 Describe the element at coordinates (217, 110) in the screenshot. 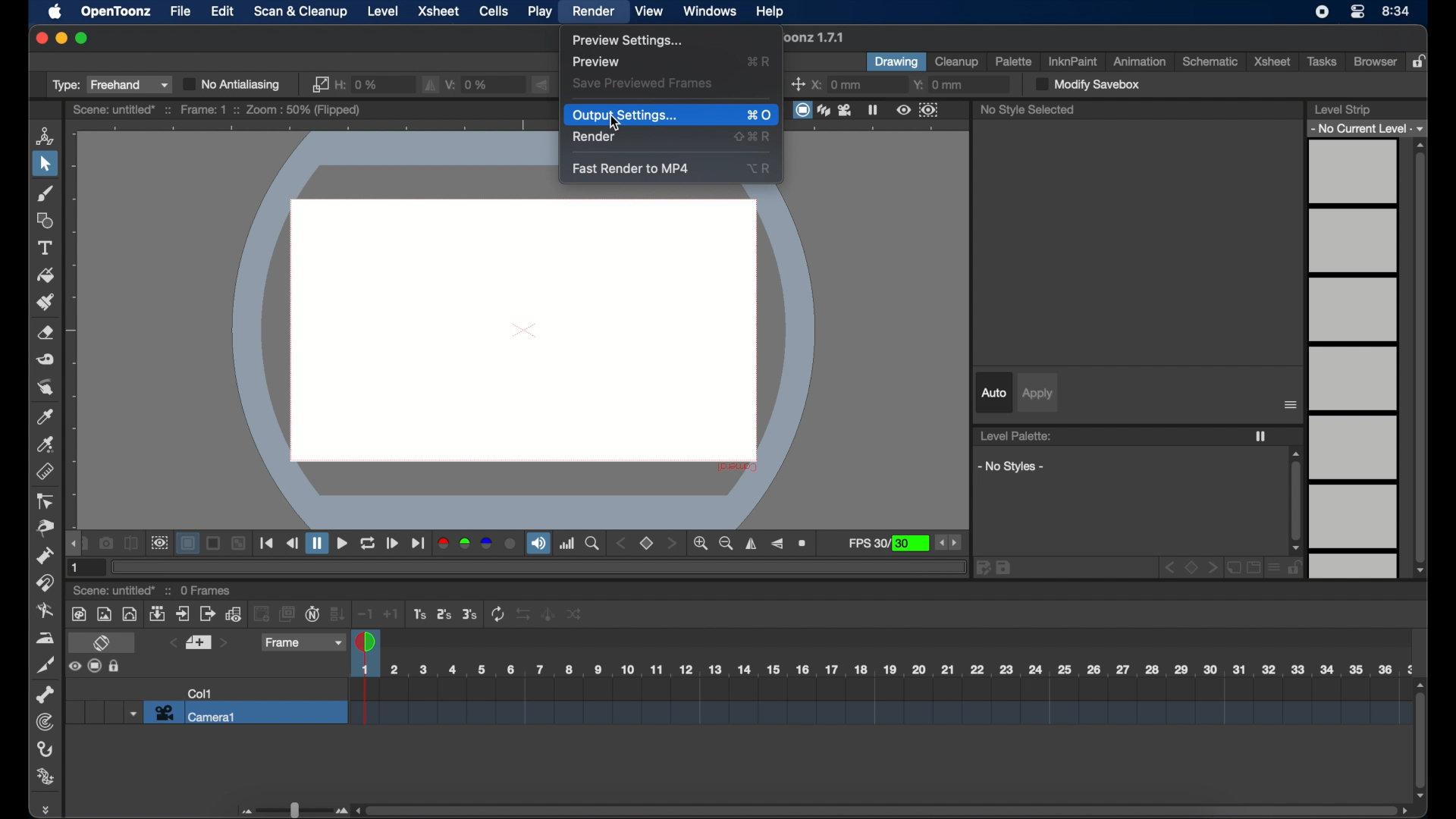

I see `scene` at that location.